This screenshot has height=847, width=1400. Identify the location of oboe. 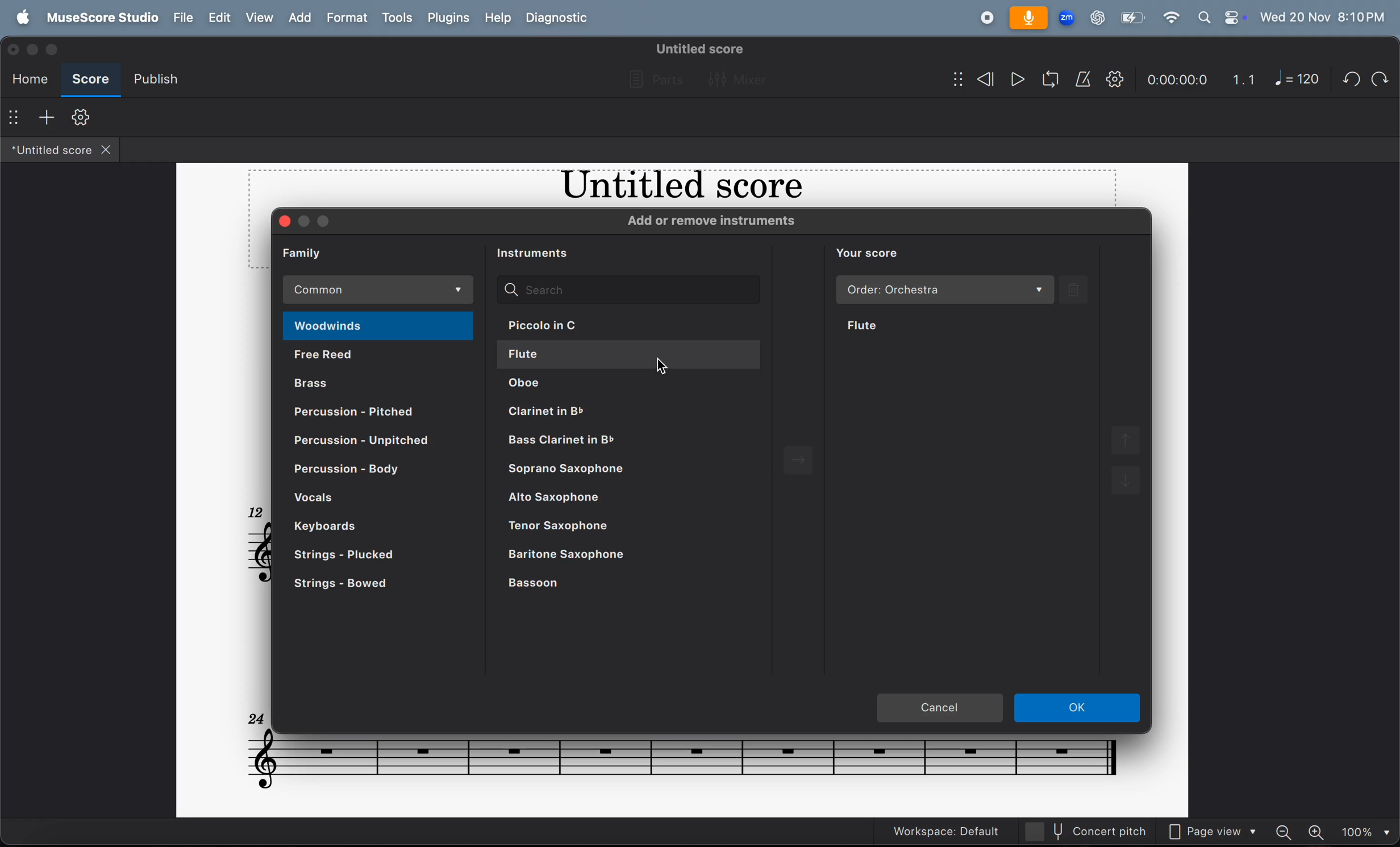
(641, 386).